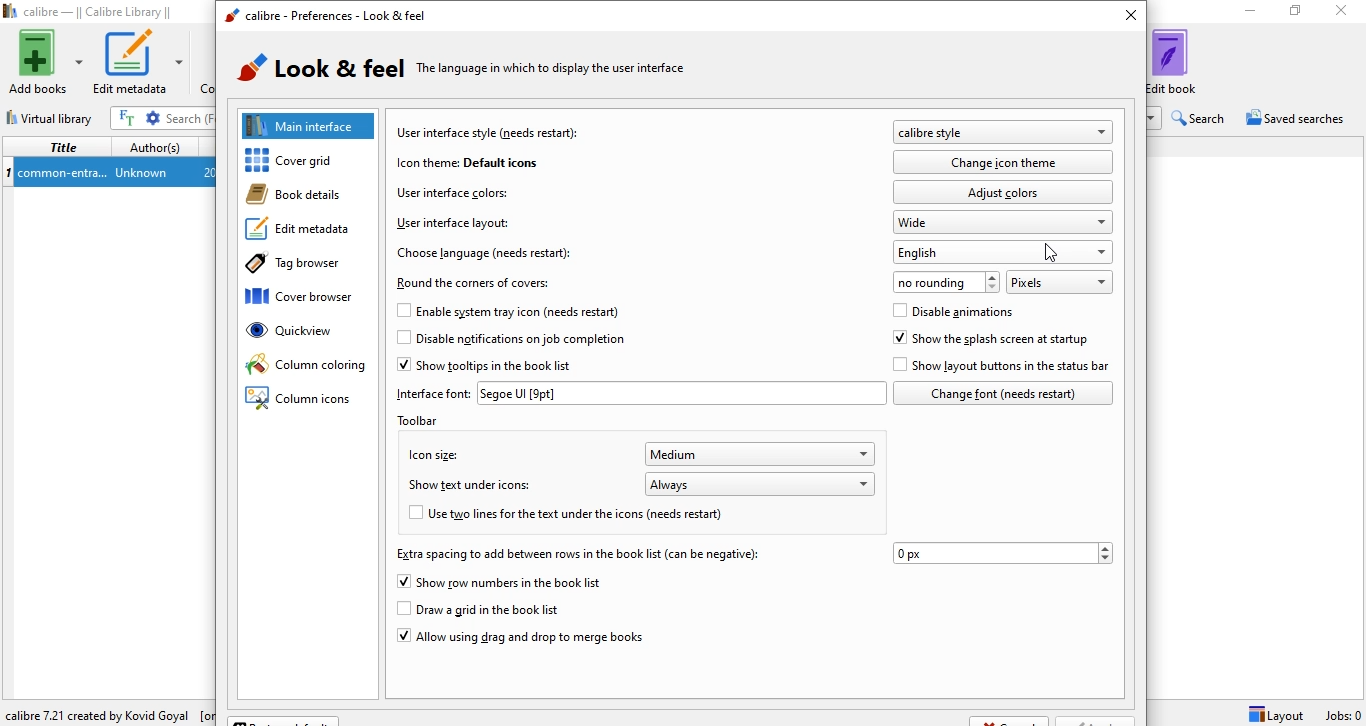  What do you see at coordinates (301, 400) in the screenshot?
I see `column icons` at bounding box center [301, 400].